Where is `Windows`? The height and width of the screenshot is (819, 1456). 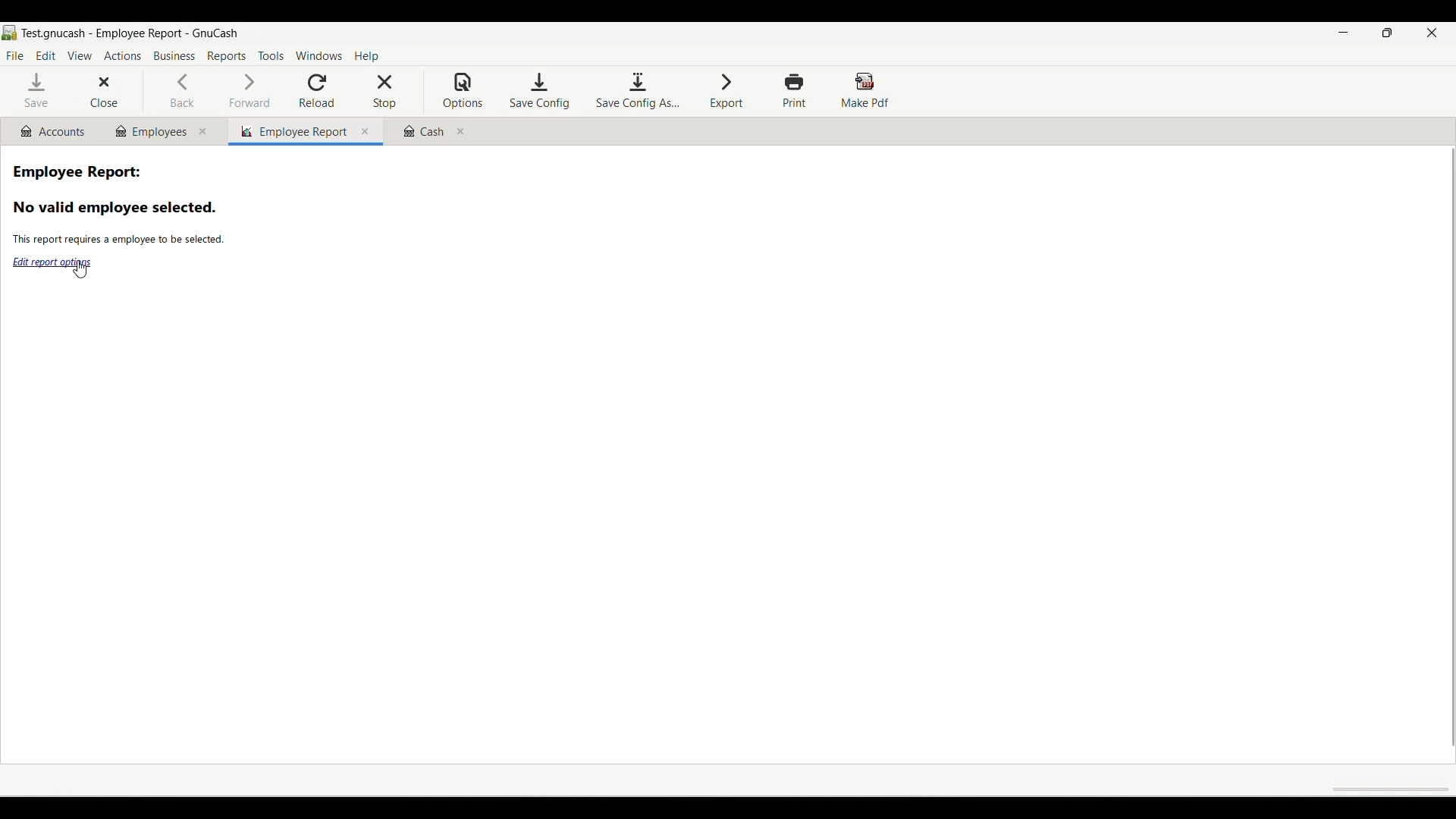
Windows is located at coordinates (319, 55).